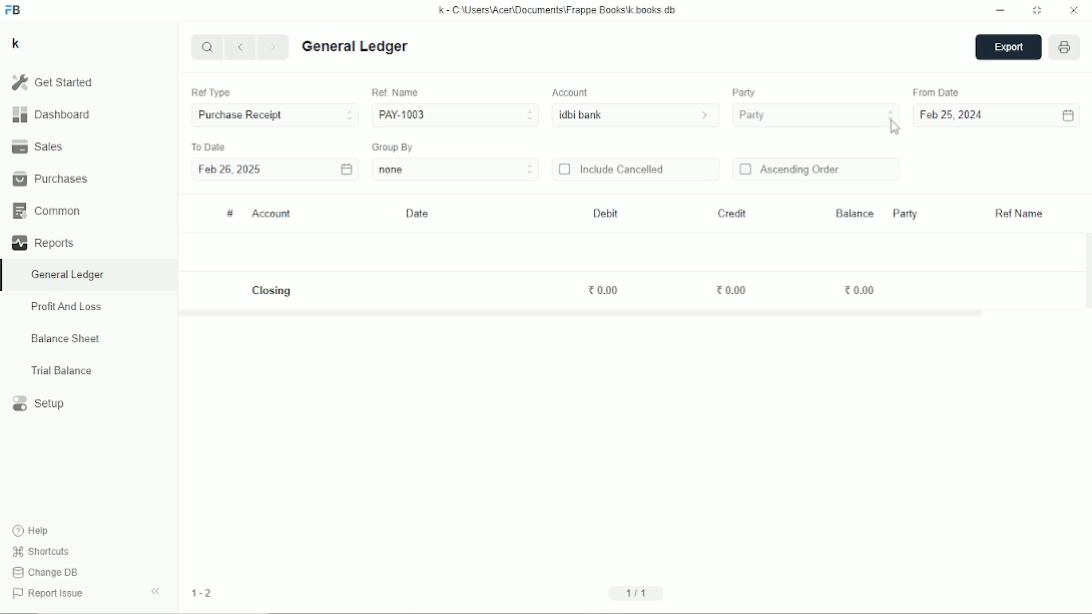  What do you see at coordinates (895, 129) in the screenshot?
I see `Cursor` at bounding box center [895, 129].